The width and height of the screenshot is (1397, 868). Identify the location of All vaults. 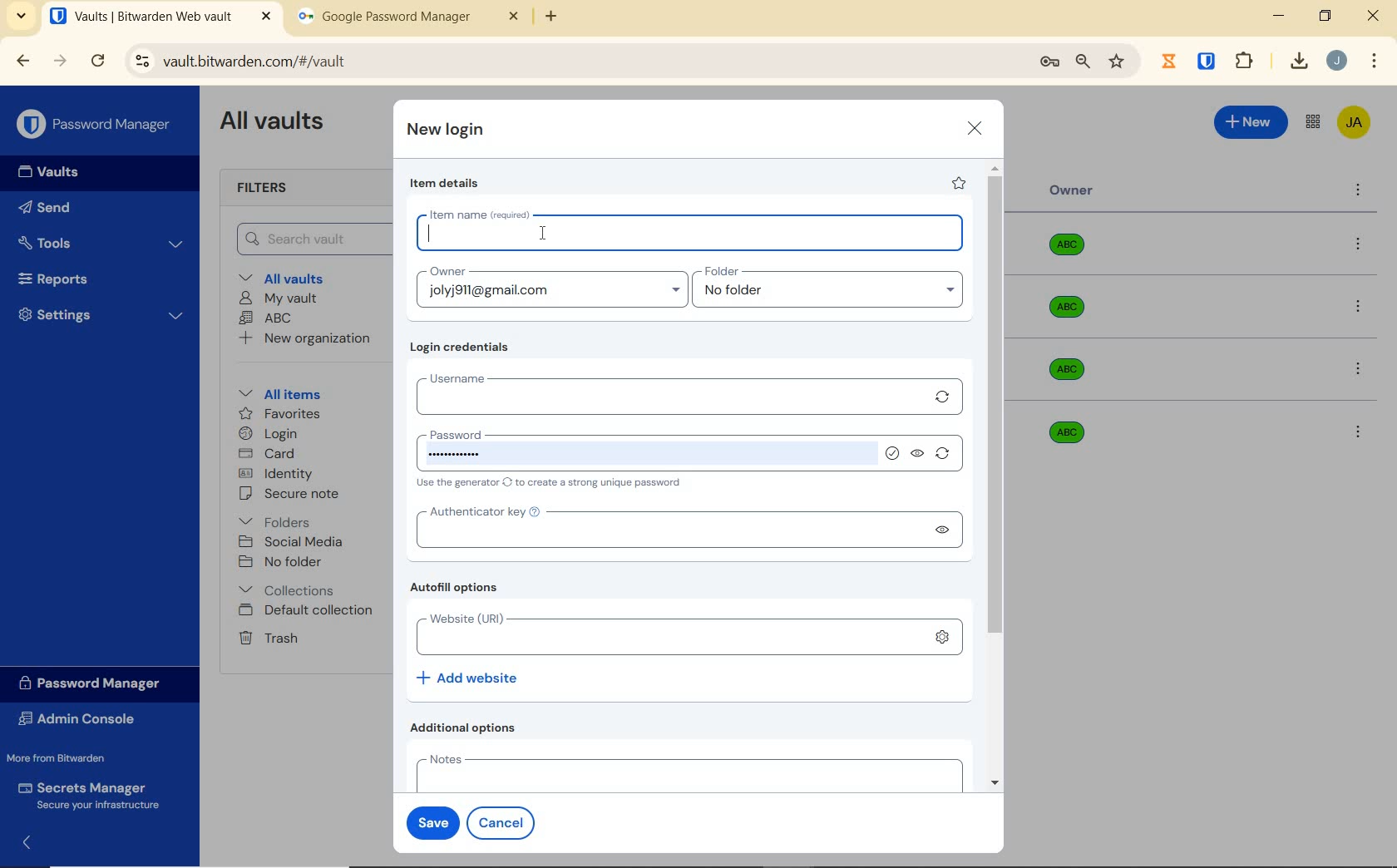
(288, 277).